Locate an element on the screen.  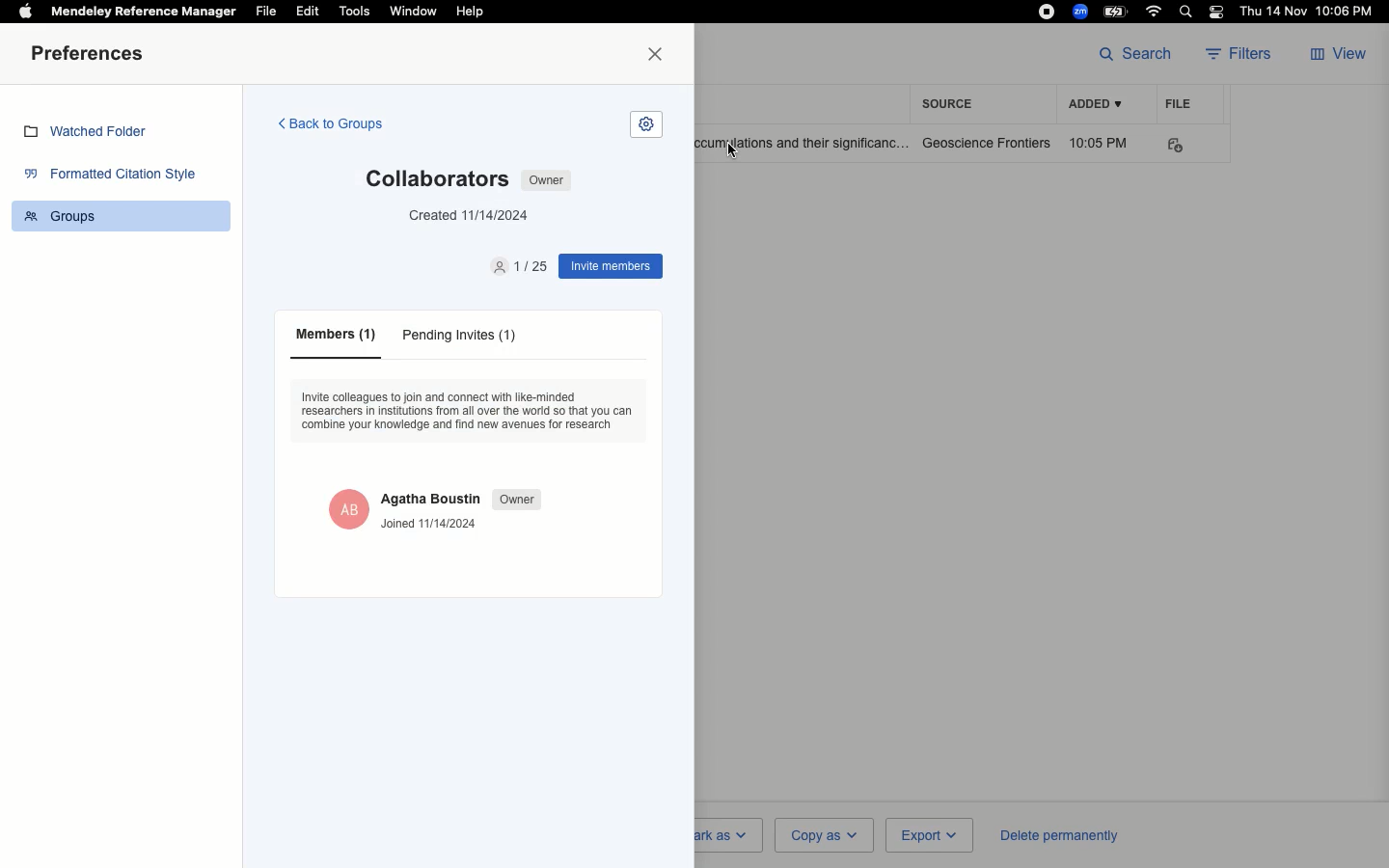
Owner is located at coordinates (547, 179).